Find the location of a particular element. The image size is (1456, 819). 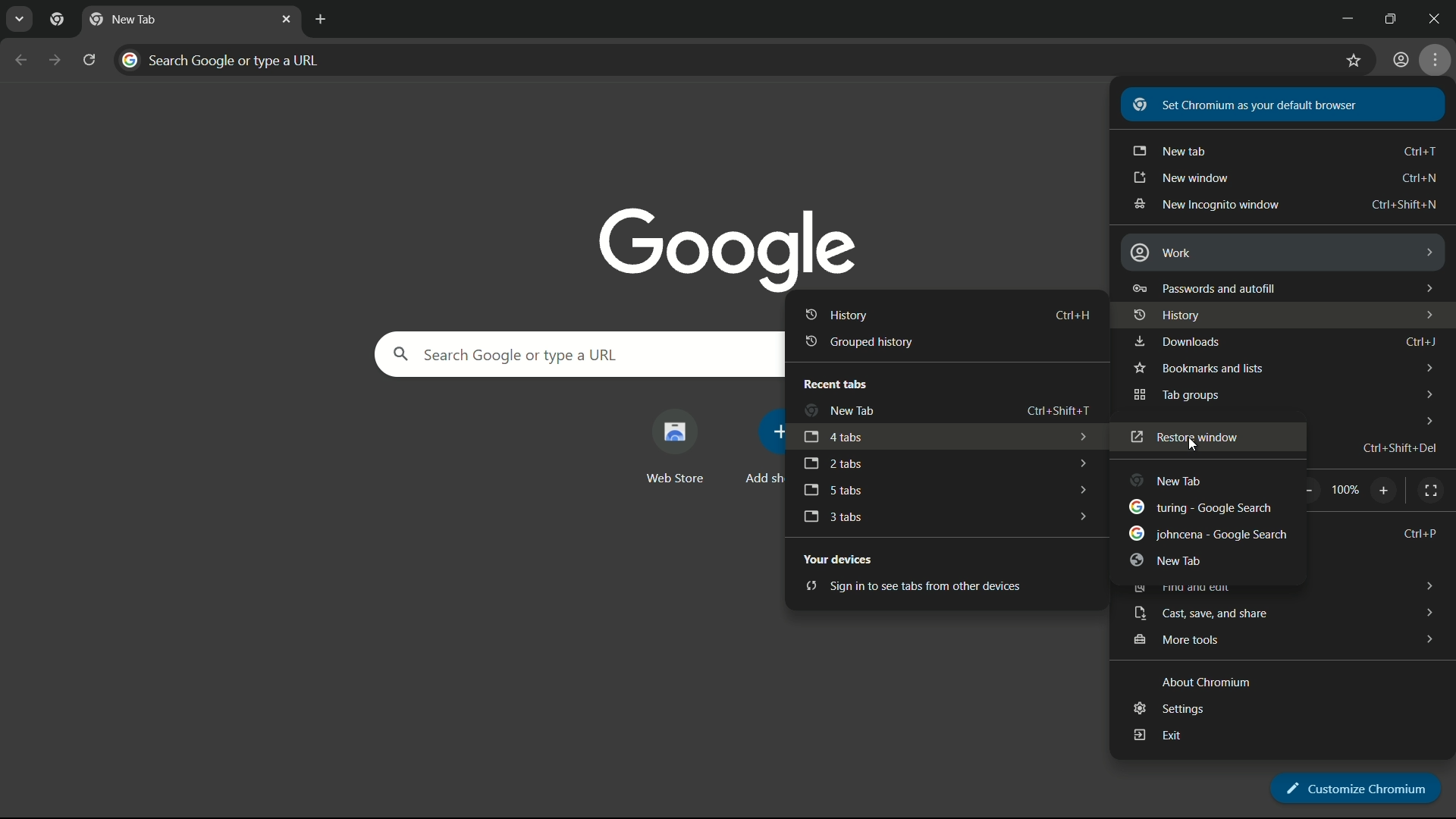

search google or type a url is located at coordinates (684, 60).